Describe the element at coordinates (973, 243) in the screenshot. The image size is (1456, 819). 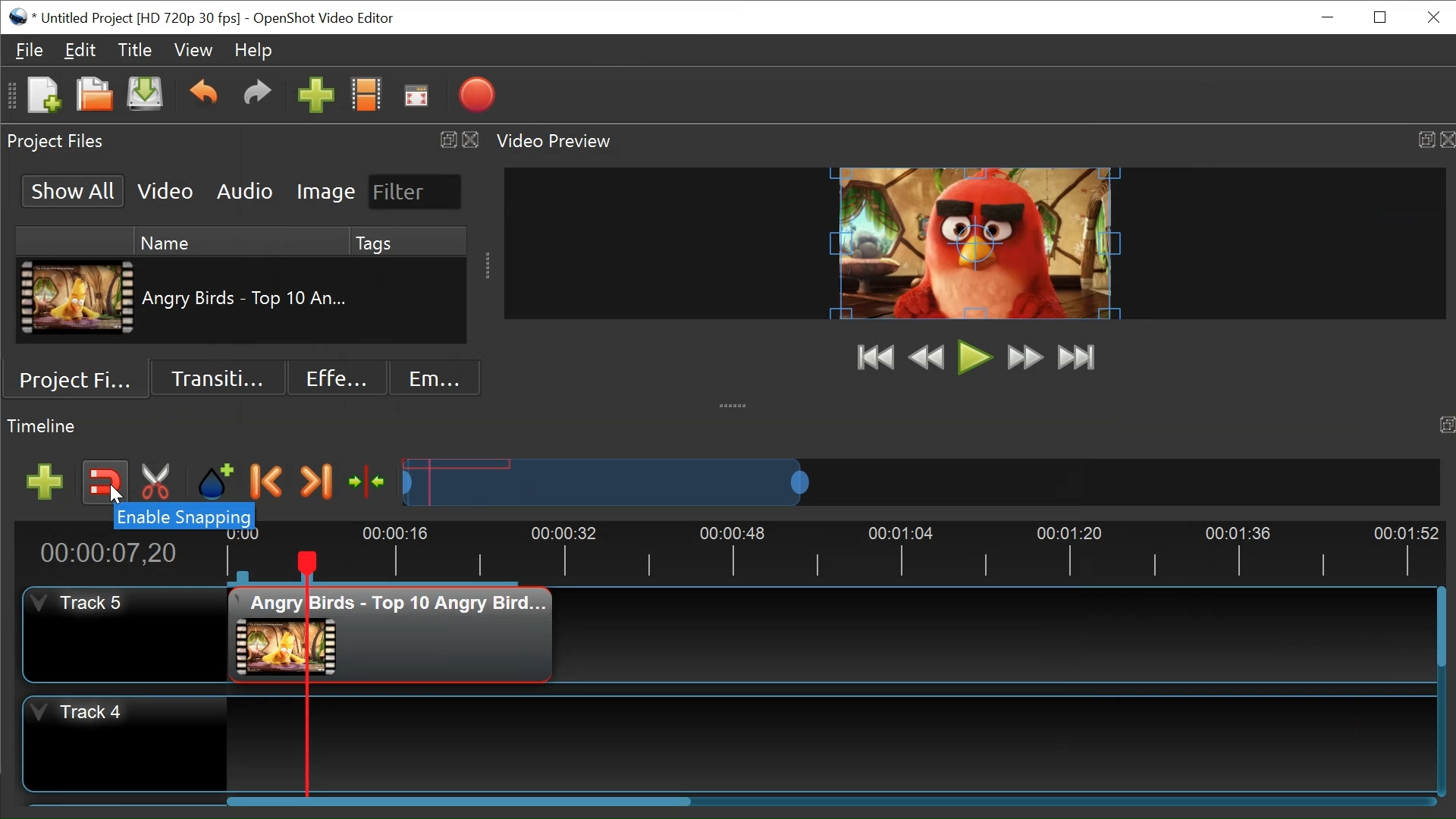
I see `Preview Window` at that location.